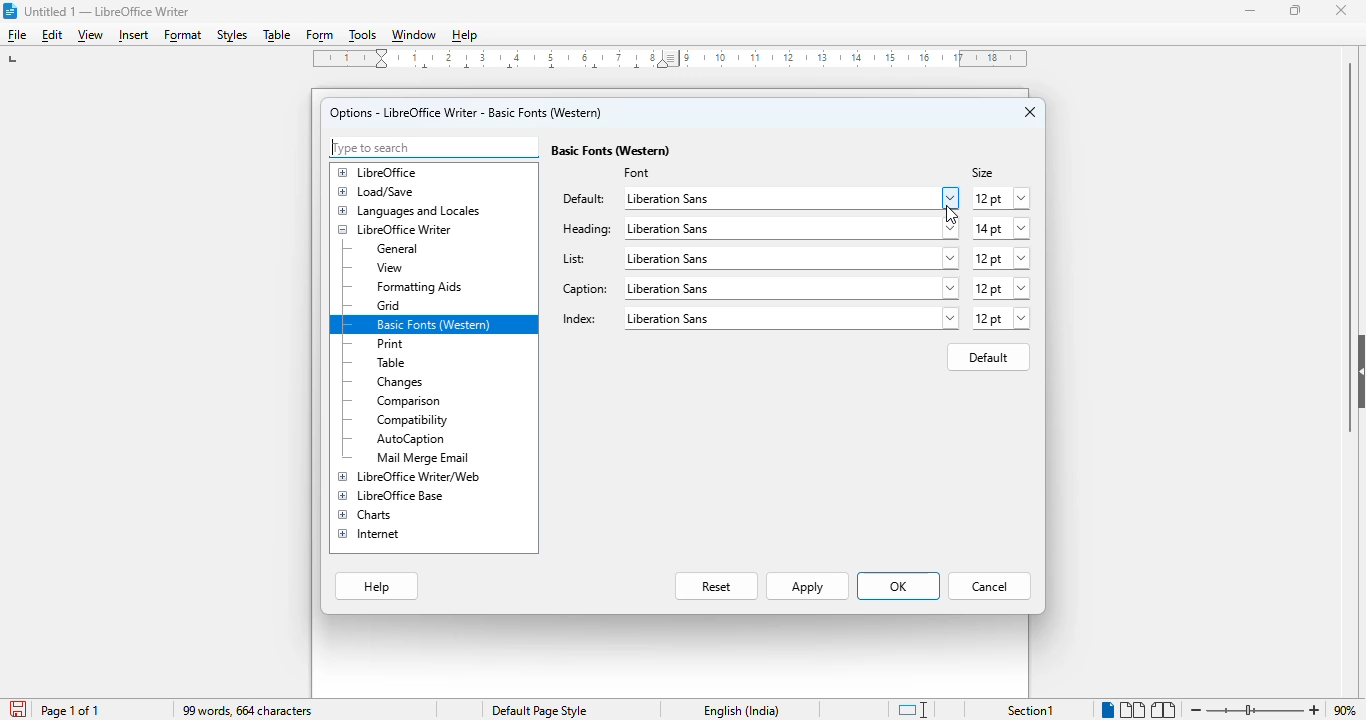 The image size is (1366, 720). I want to click on LibreOffice Writer, so click(395, 230).